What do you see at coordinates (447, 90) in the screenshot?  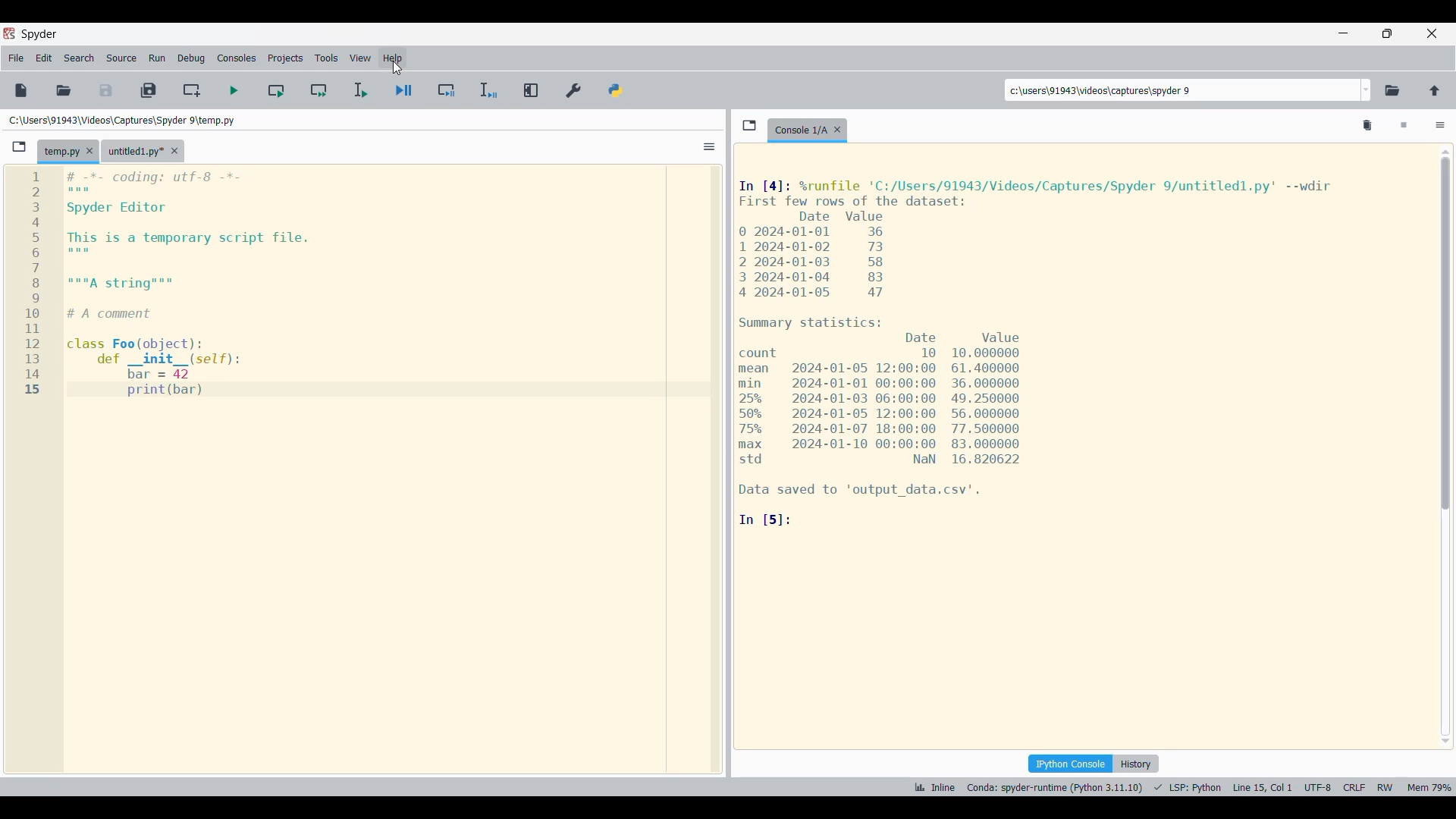 I see `` at bounding box center [447, 90].